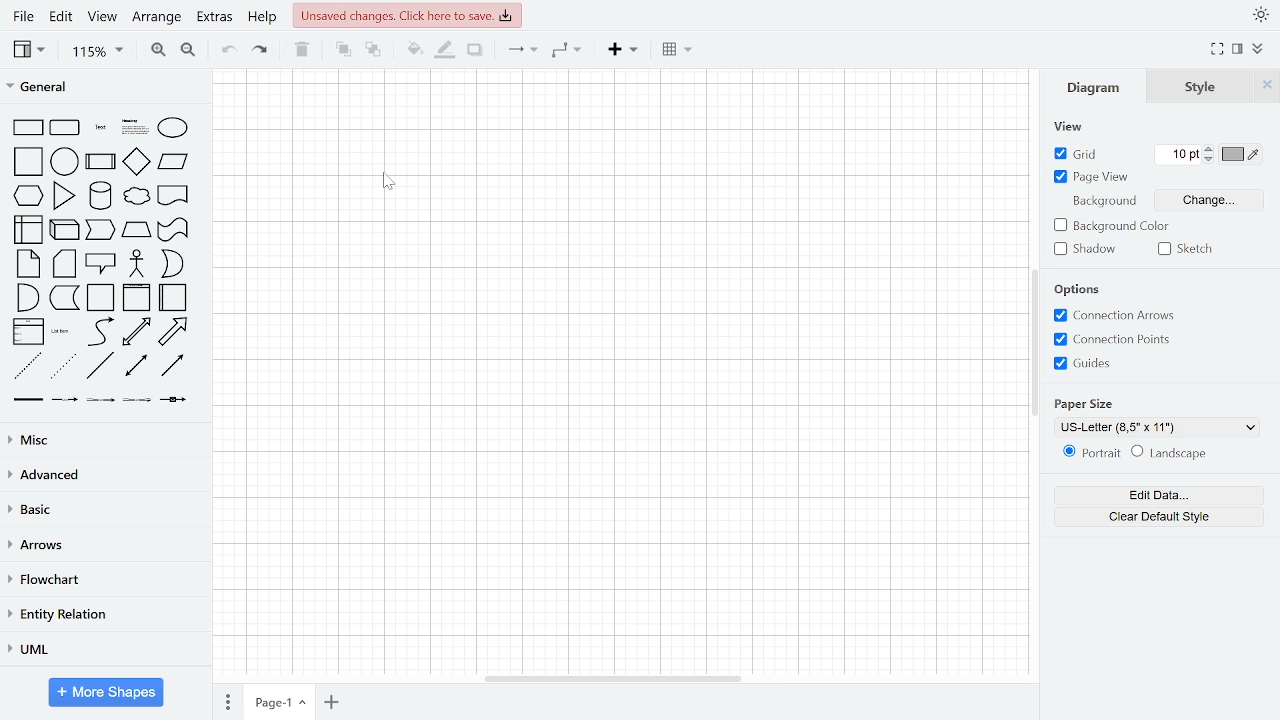 This screenshot has width=1280, height=720. I want to click on change background, so click(1210, 200).